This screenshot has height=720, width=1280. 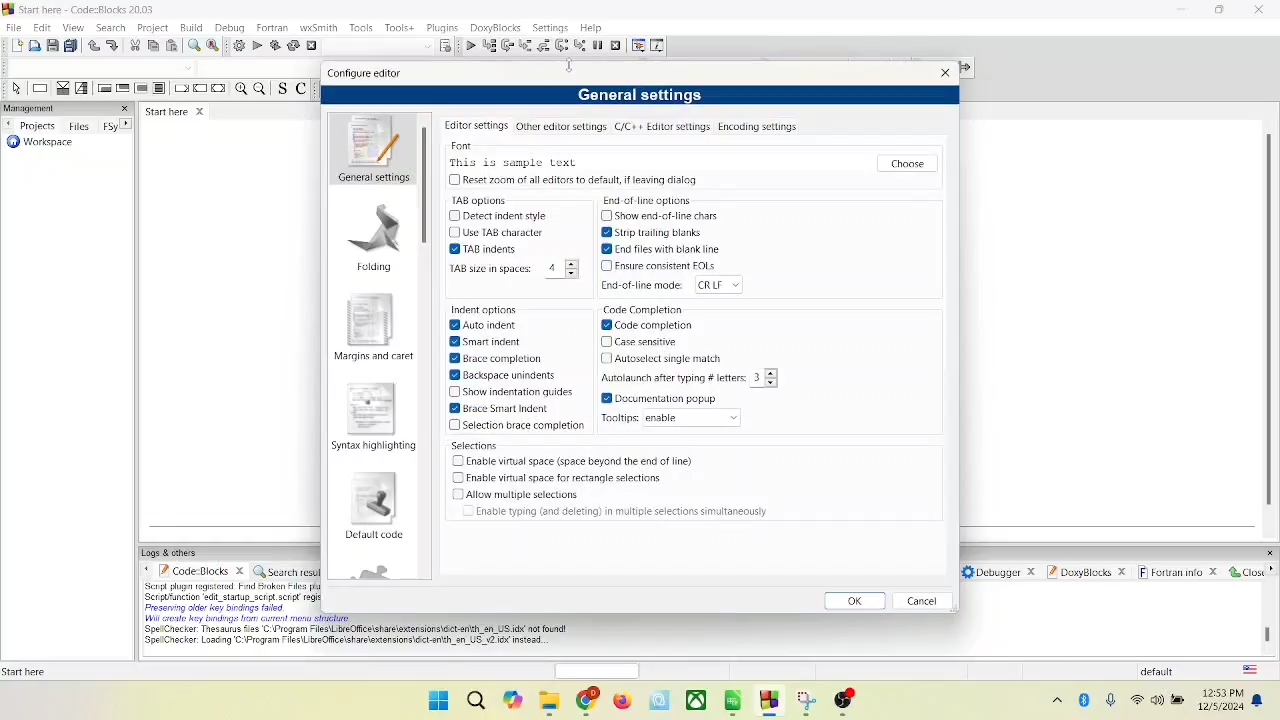 What do you see at coordinates (502, 359) in the screenshot?
I see `brace completion` at bounding box center [502, 359].